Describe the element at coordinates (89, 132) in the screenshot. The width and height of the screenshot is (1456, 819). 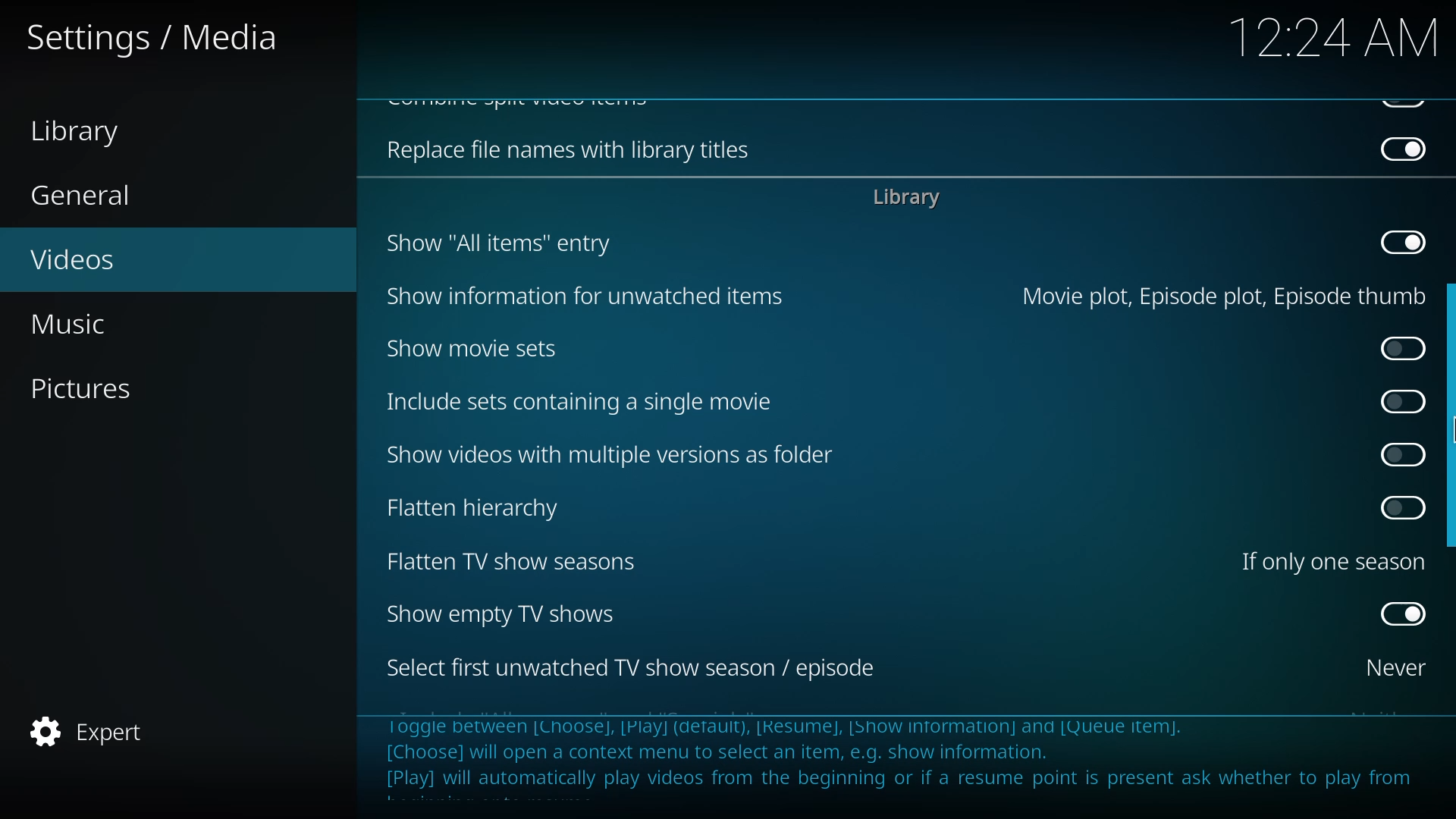
I see `library` at that location.